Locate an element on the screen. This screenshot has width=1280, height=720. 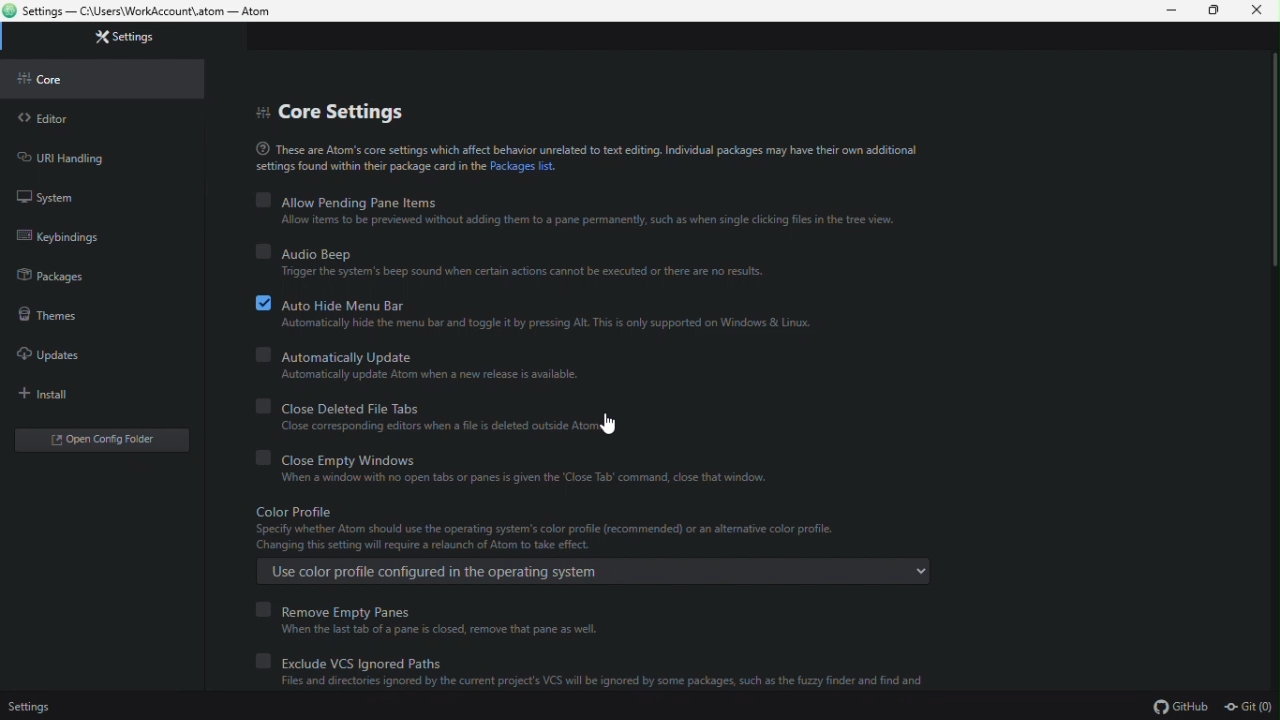
open config editor is located at coordinates (100, 439).